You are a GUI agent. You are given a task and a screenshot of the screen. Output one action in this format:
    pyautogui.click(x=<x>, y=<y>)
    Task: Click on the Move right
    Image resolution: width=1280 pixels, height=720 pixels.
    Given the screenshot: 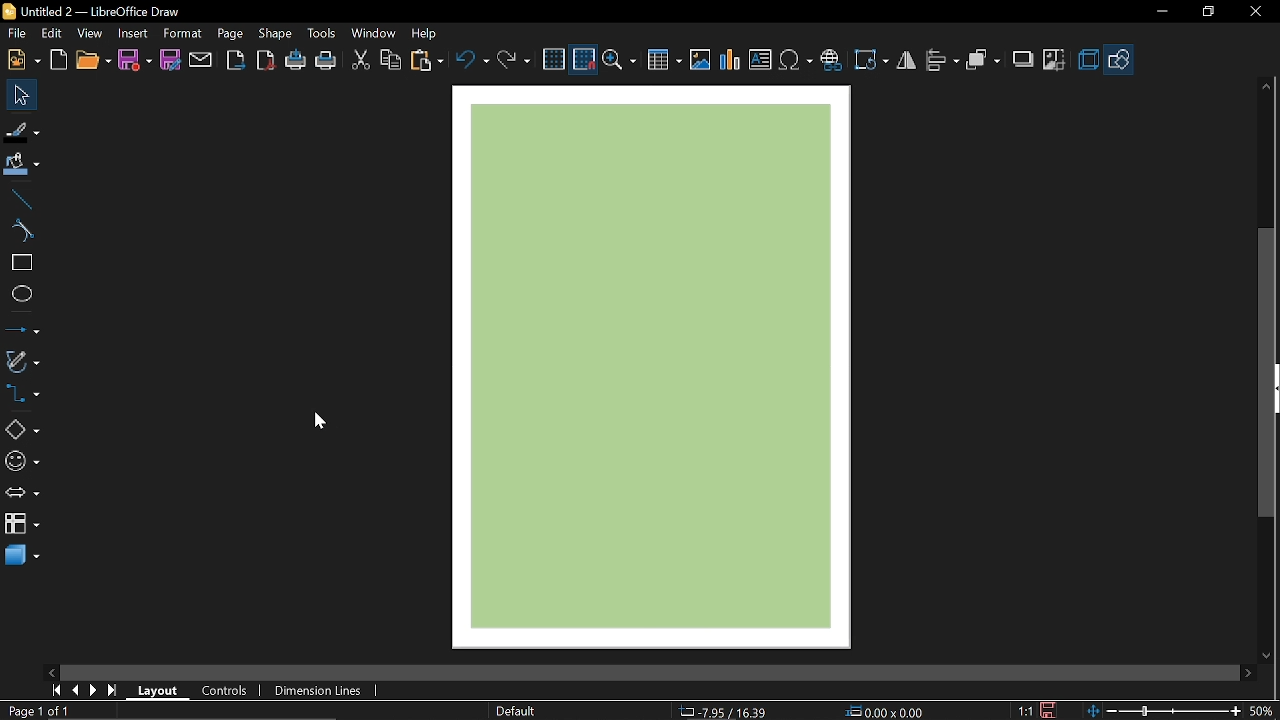 What is the action you would take?
    pyautogui.click(x=1248, y=672)
    